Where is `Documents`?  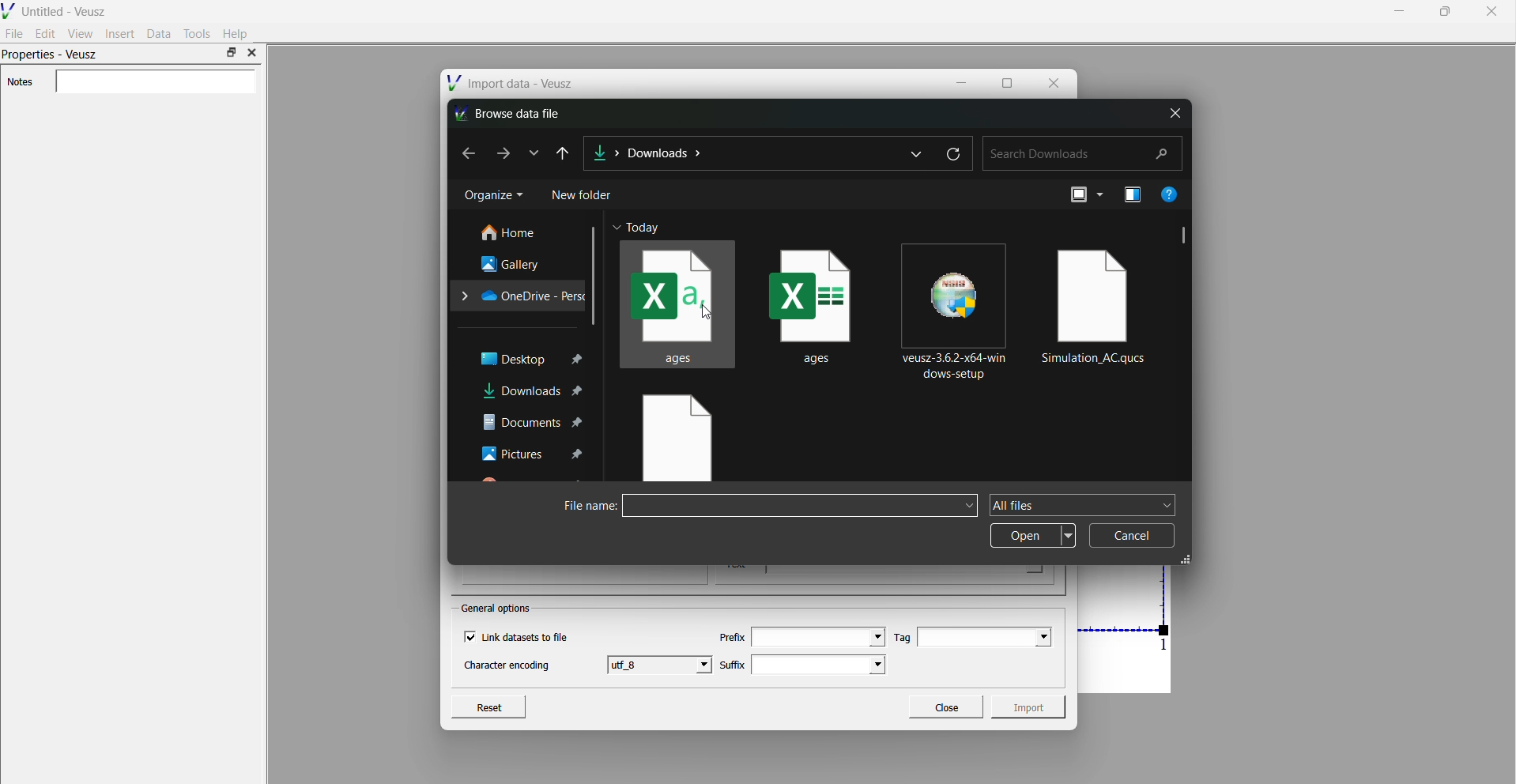
Documents is located at coordinates (533, 422).